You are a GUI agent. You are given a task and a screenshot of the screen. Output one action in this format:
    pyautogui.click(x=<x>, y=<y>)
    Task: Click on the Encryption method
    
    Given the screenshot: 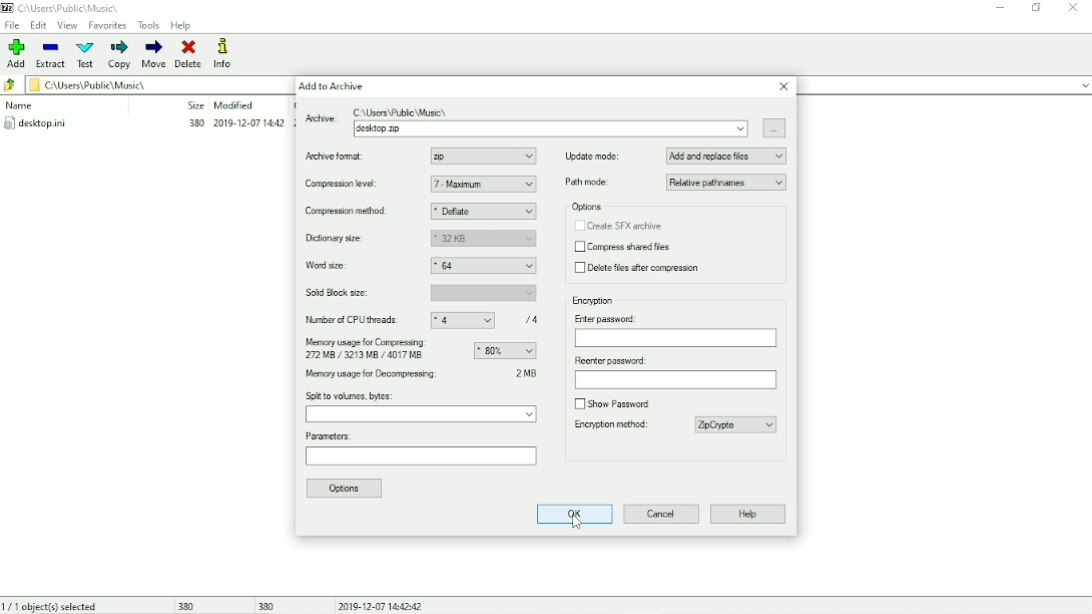 What is the action you would take?
    pyautogui.click(x=621, y=427)
    